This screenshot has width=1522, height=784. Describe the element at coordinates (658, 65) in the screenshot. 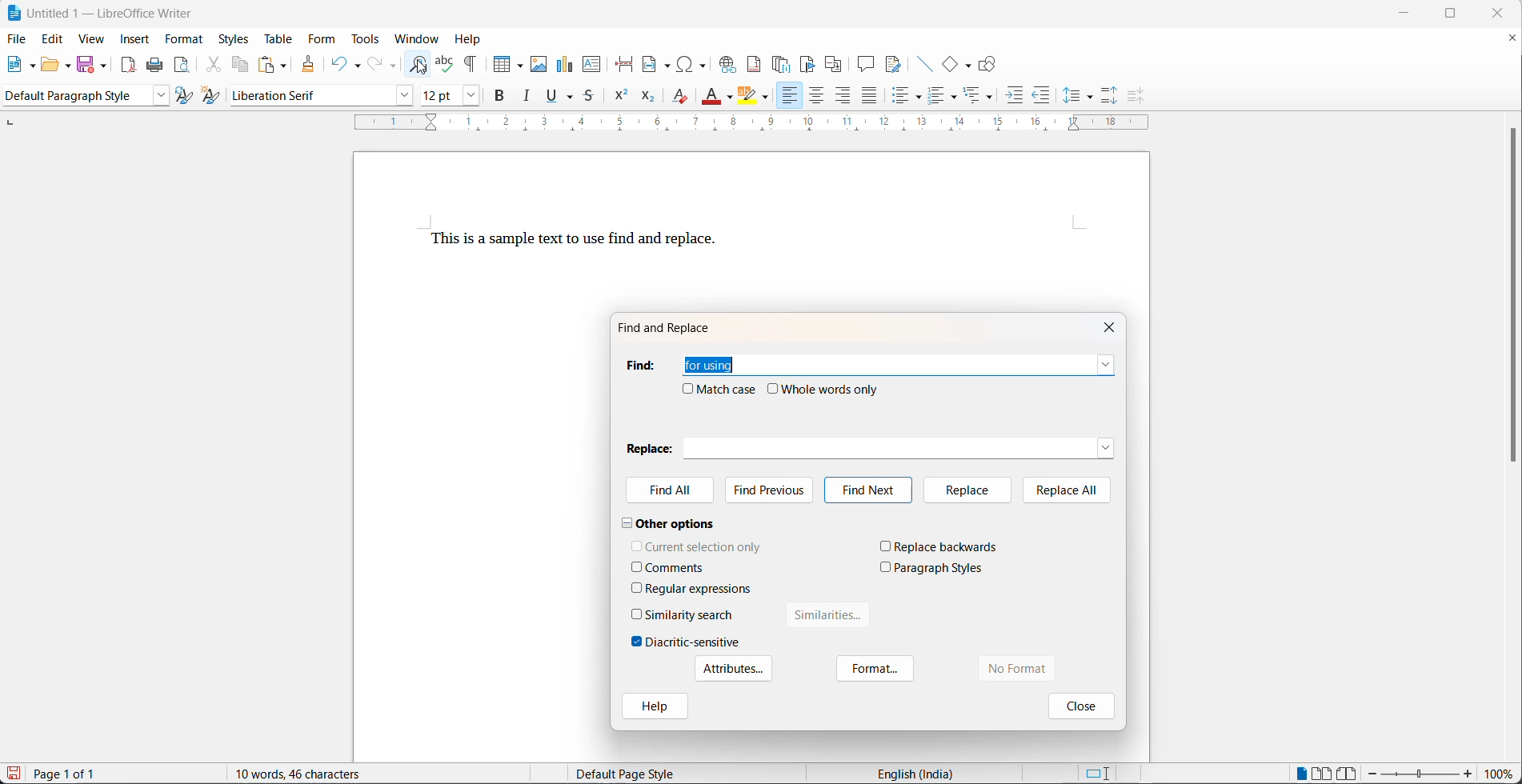

I see `insert field` at that location.